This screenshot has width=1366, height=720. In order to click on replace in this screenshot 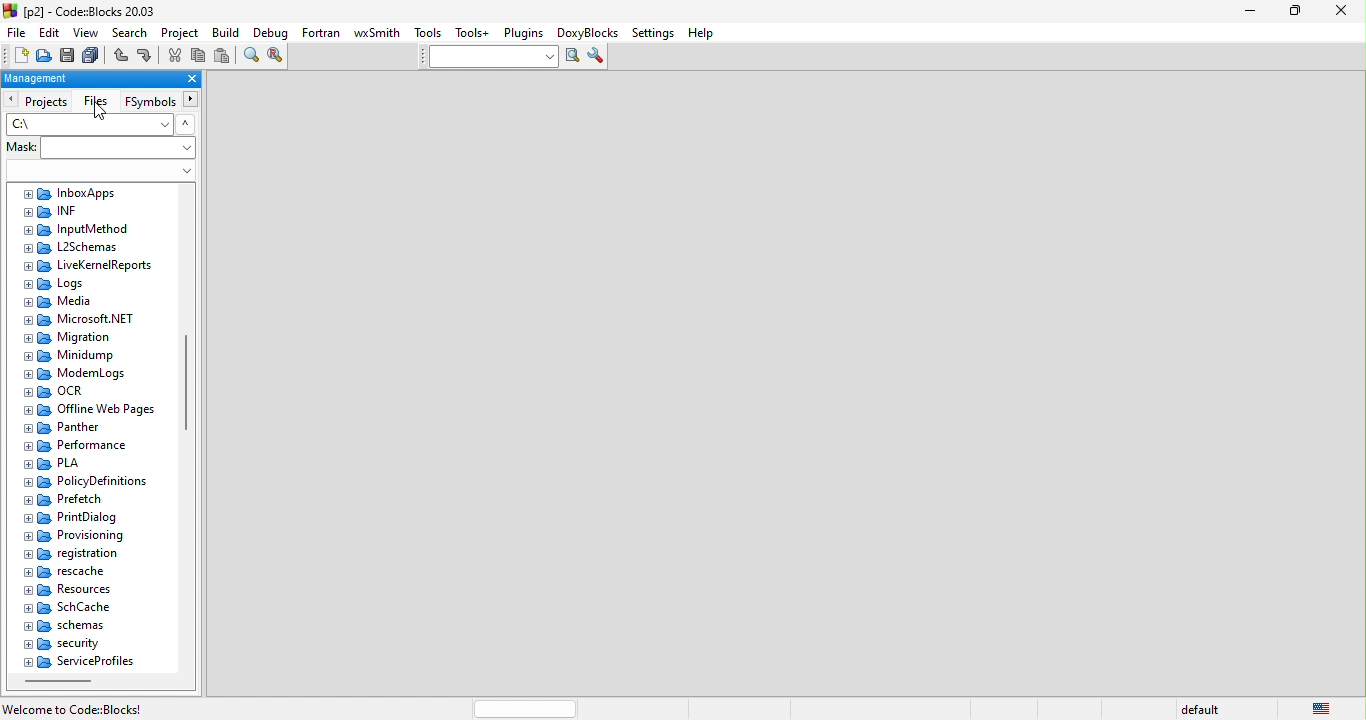, I will do `click(275, 57)`.